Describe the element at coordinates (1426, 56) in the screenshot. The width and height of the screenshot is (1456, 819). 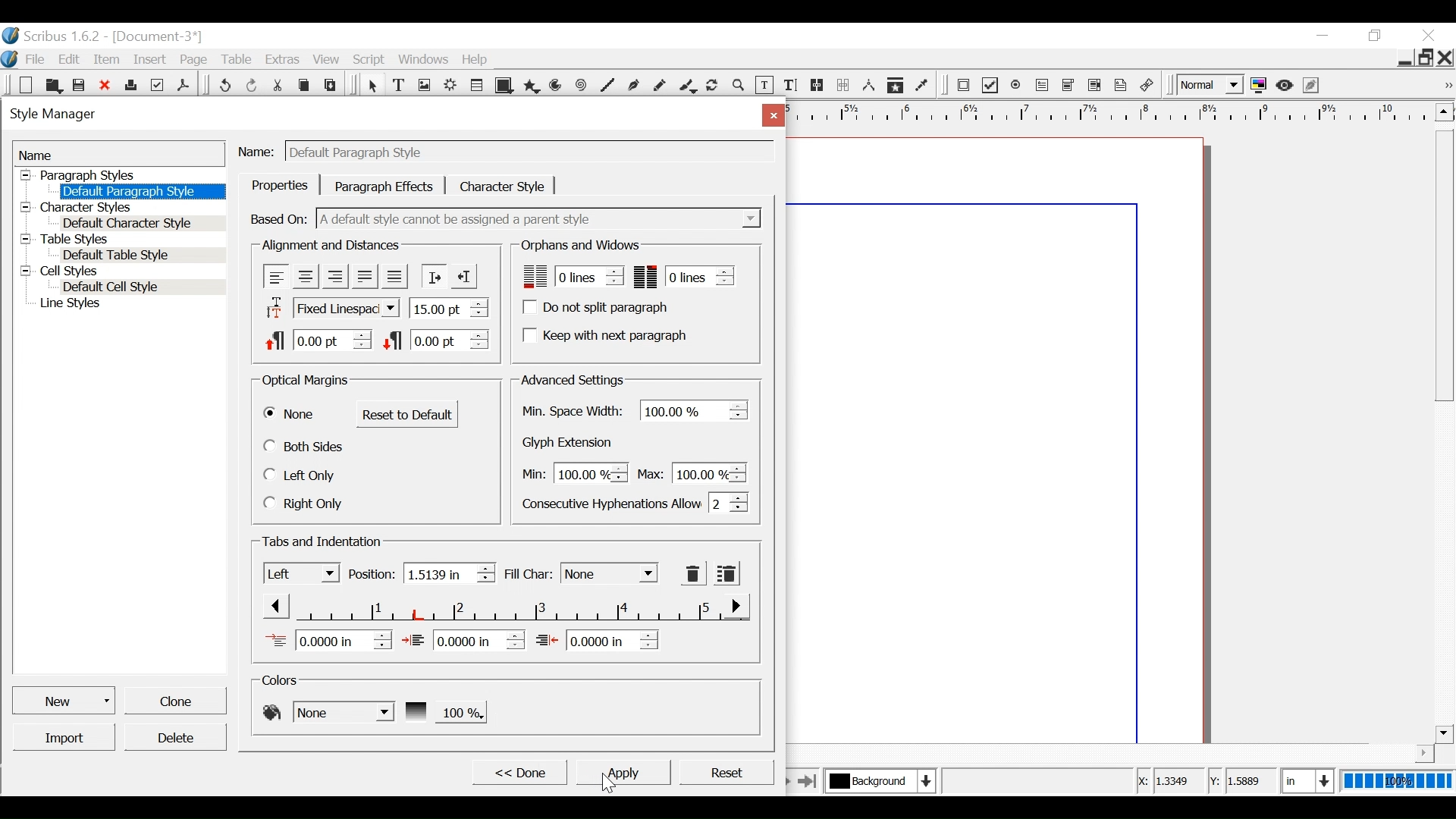
I see `Restore` at that location.